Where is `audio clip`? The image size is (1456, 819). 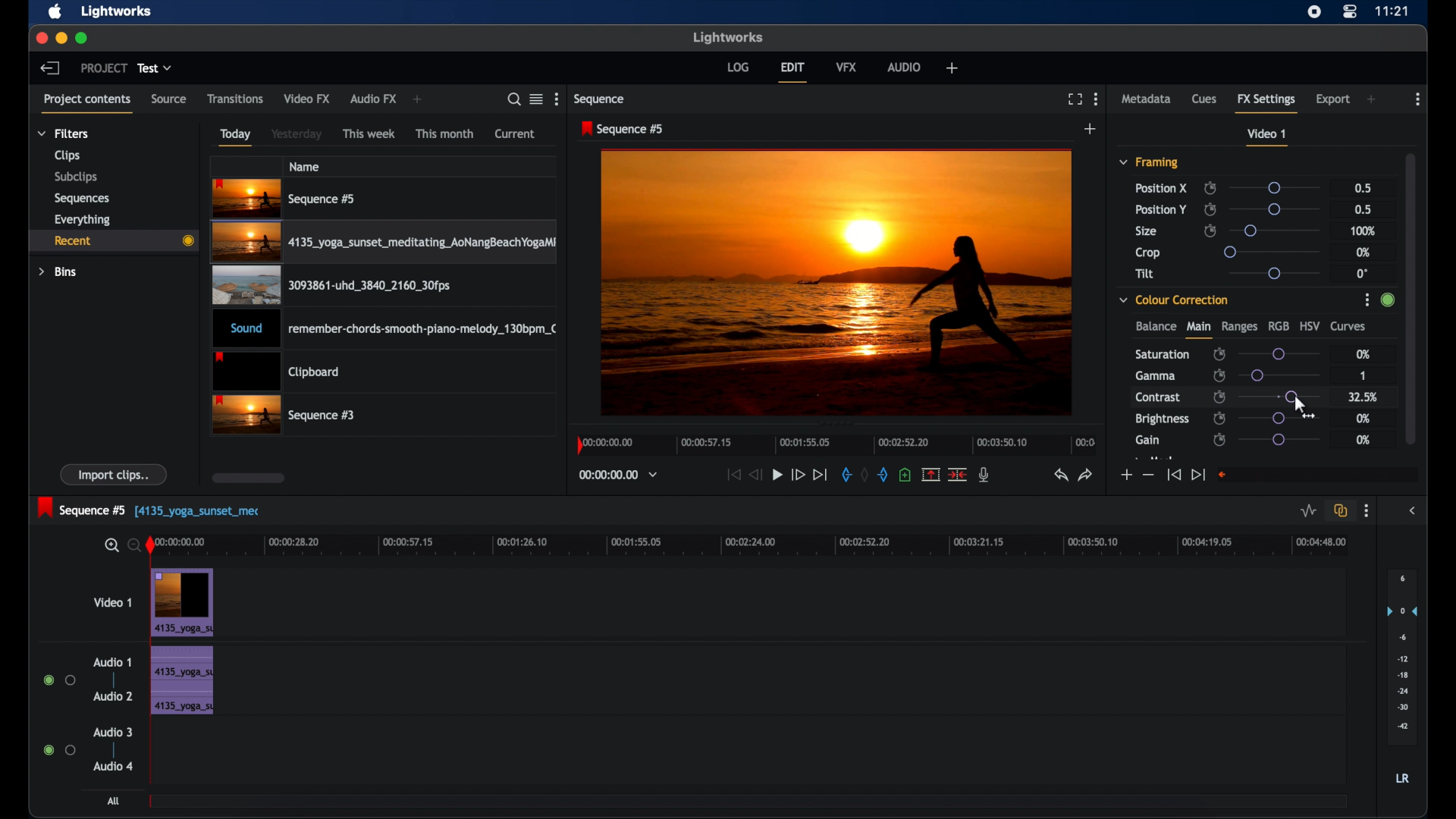
audio clip is located at coordinates (181, 682).